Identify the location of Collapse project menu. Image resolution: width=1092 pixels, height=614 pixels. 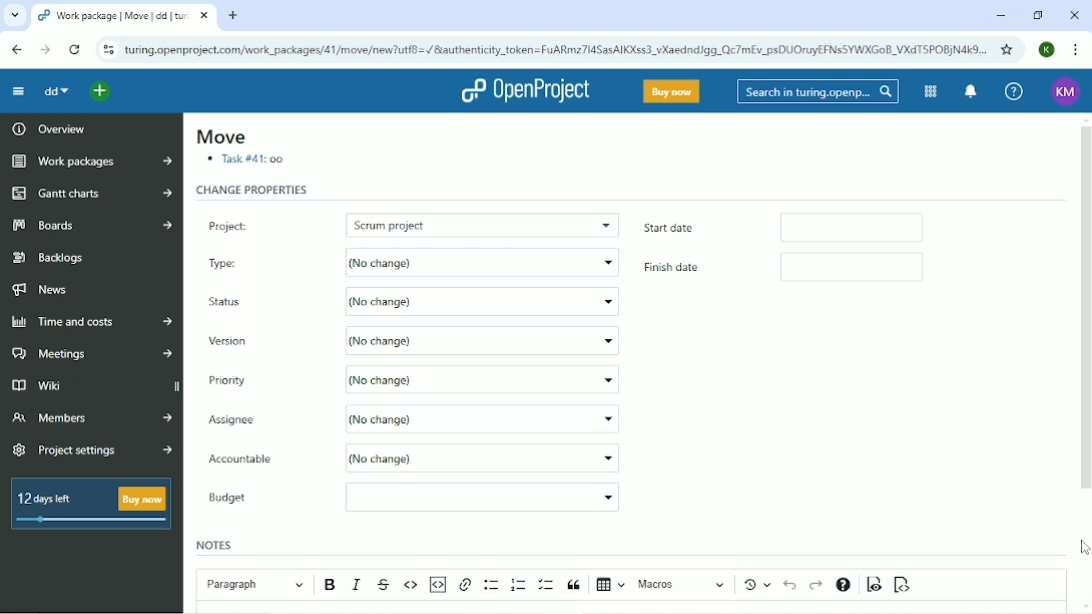
(18, 91).